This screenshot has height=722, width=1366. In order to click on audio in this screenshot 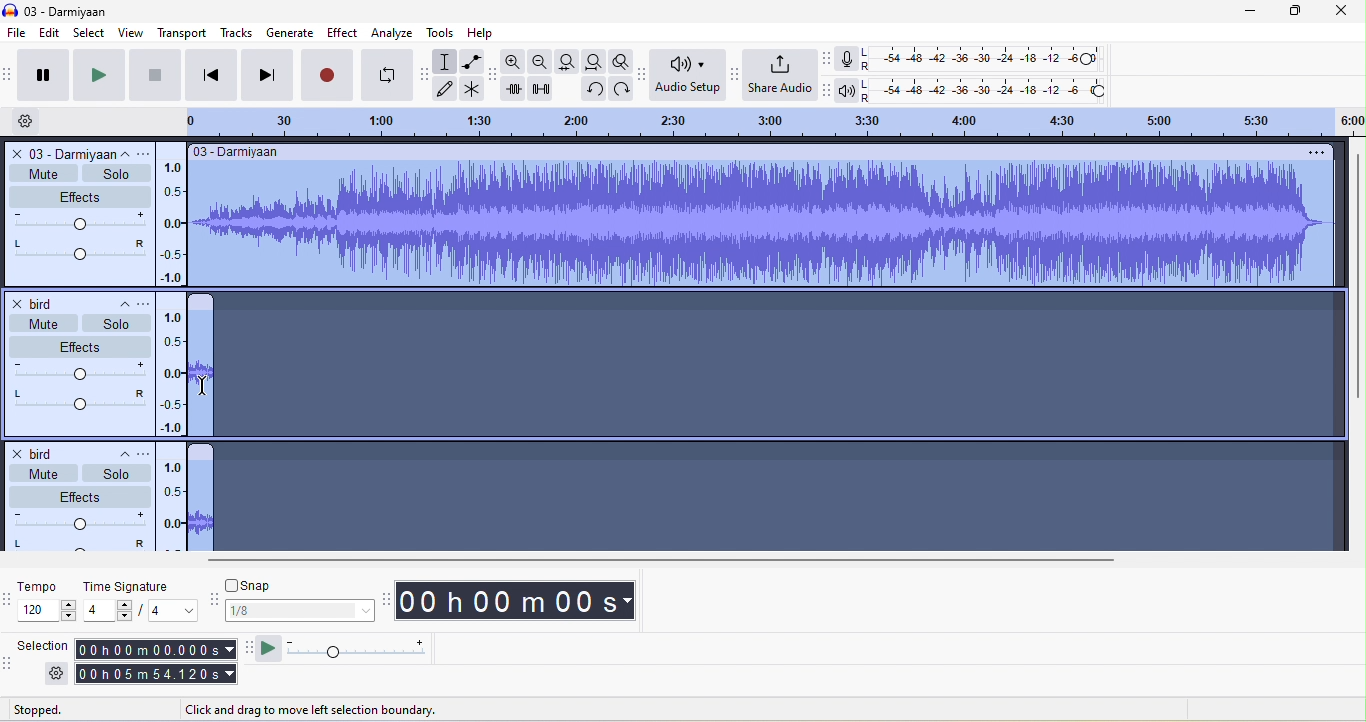, I will do `click(201, 373)`.